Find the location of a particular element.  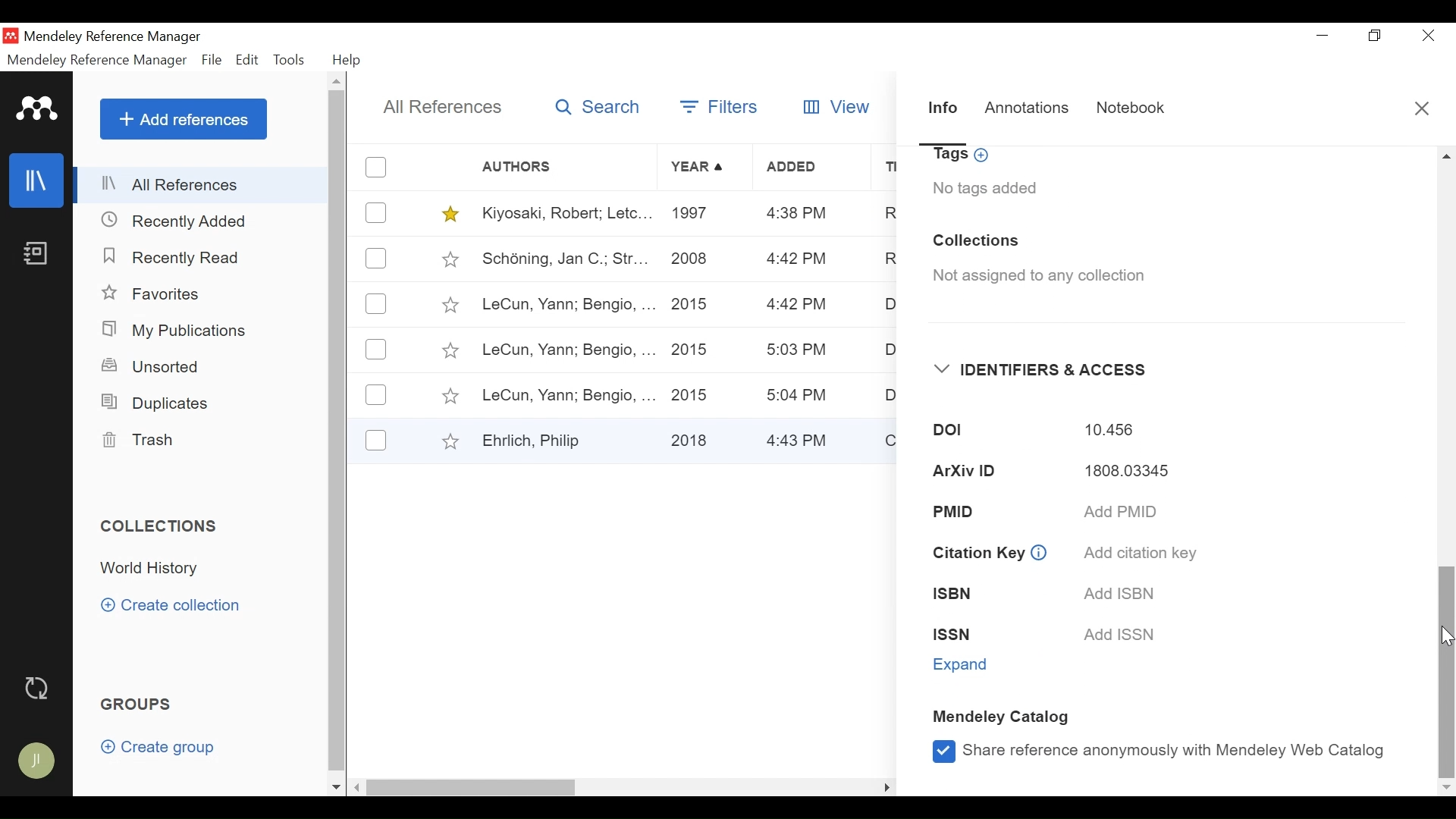

LeCun, Yann; Bengio, ... is located at coordinates (566, 350).